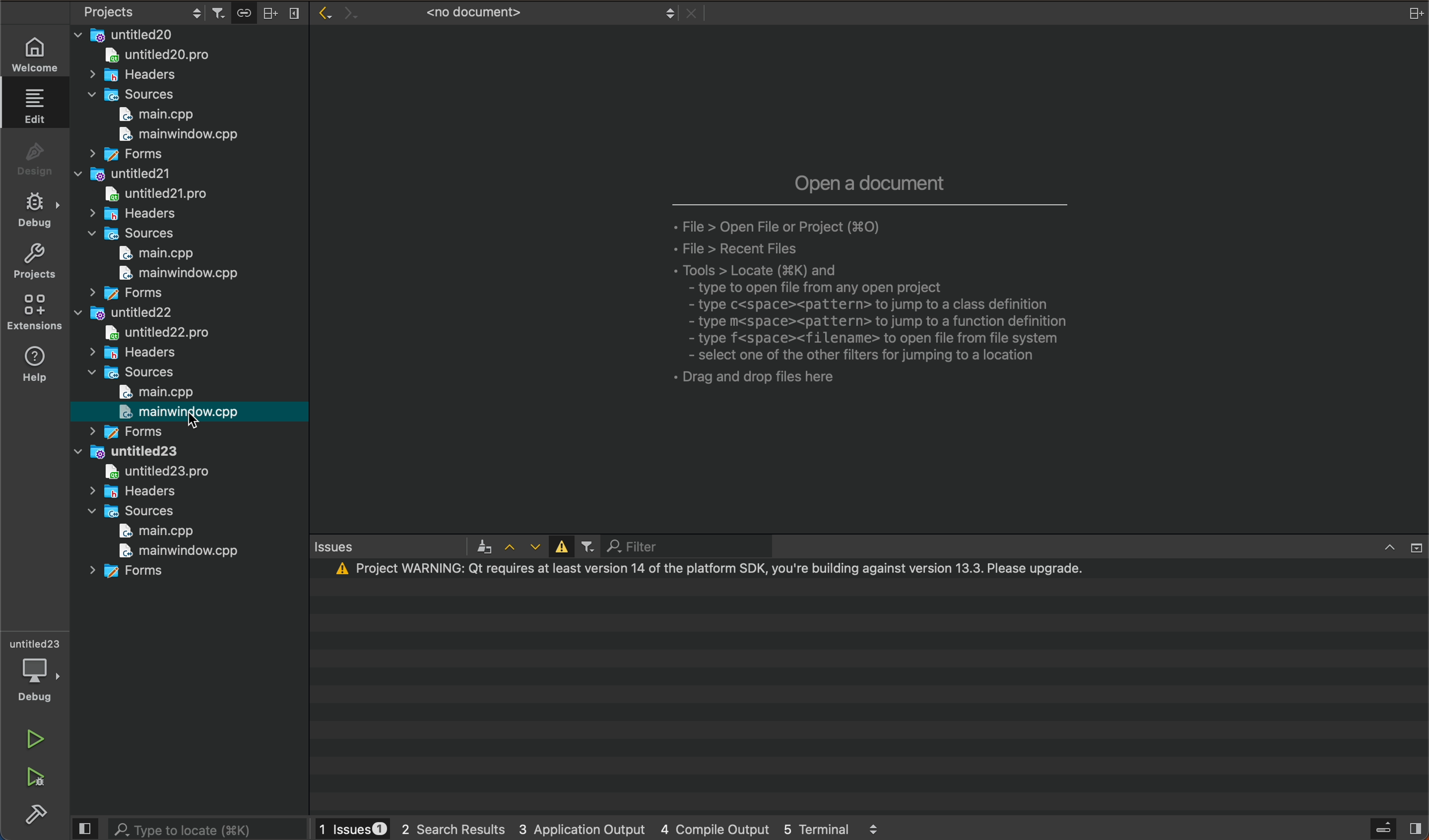 Image resolution: width=1429 pixels, height=840 pixels. What do you see at coordinates (127, 315) in the screenshot?
I see `untitled22` at bounding box center [127, 315].